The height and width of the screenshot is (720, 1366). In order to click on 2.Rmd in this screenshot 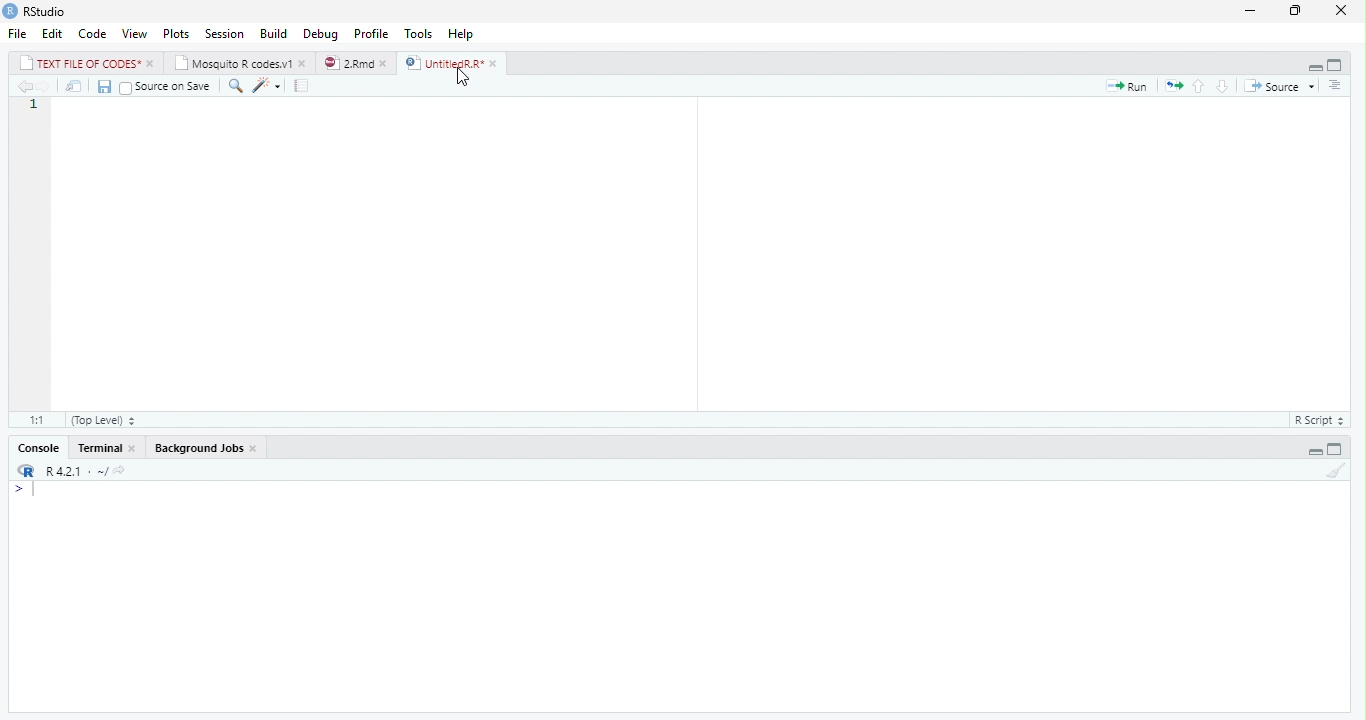, I will do `click(355, 63)`.